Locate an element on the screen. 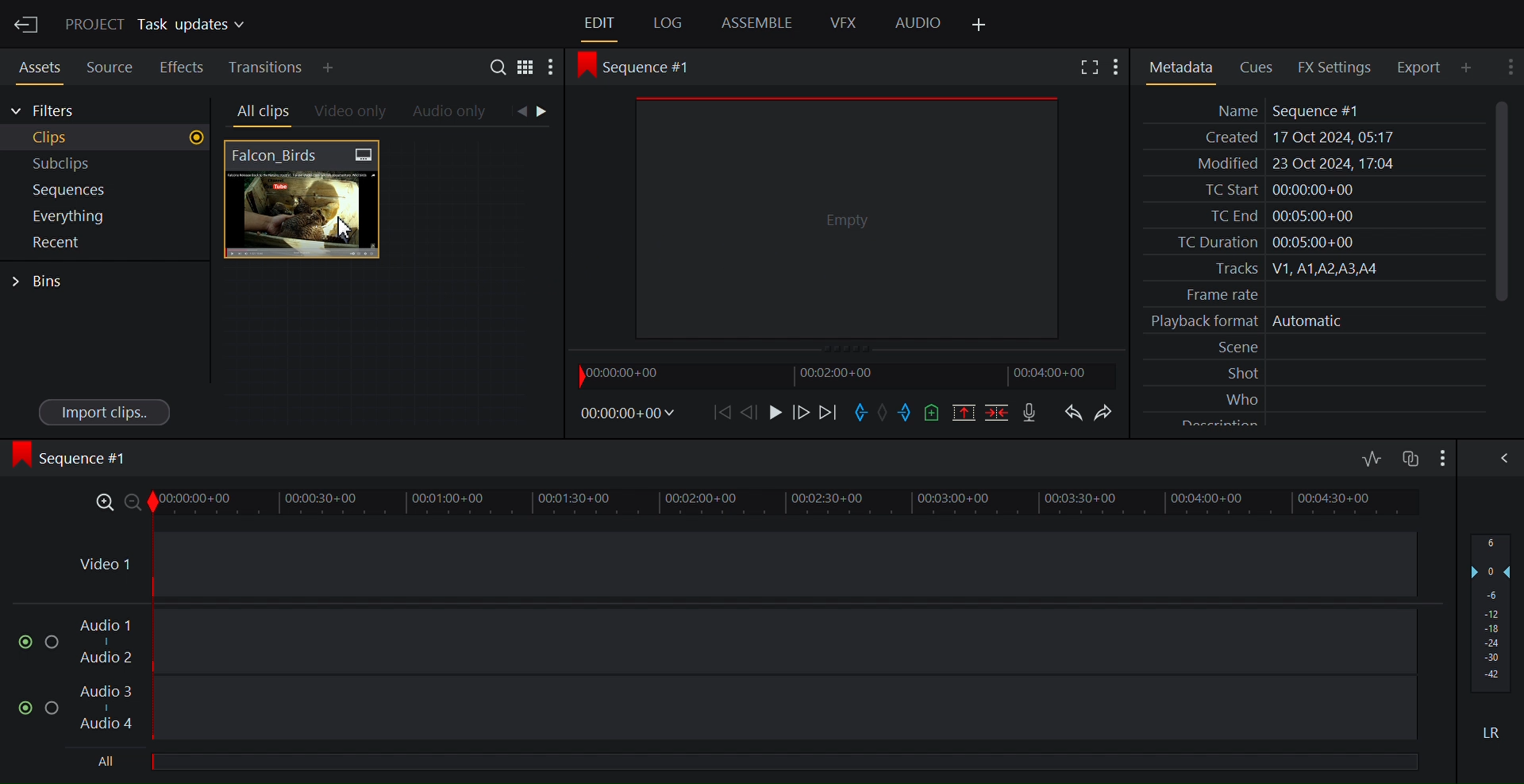  Audio is located at coordinates (918, 24).